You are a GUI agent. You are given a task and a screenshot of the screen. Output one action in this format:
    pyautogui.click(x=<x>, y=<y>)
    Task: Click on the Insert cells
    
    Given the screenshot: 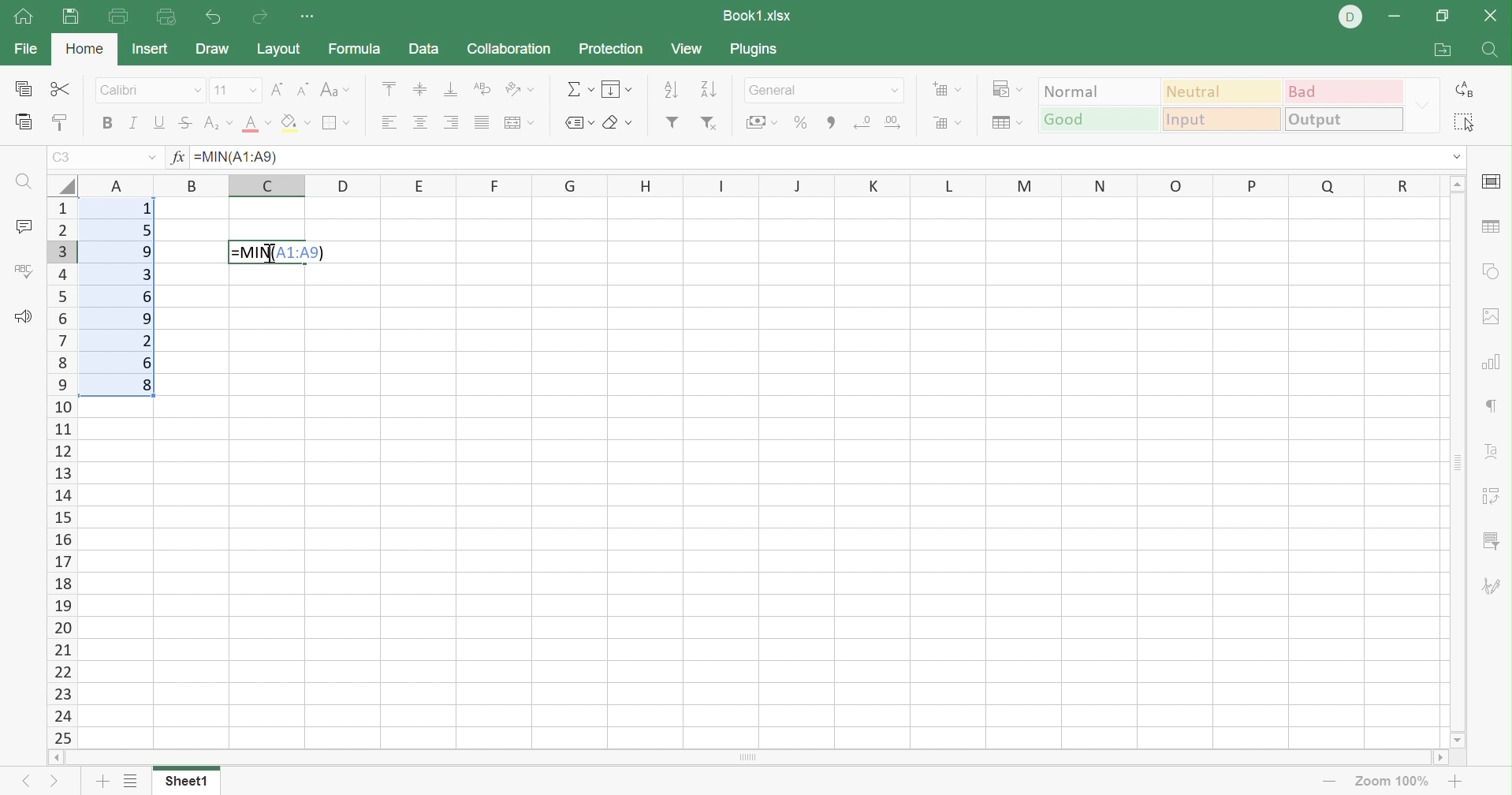 What is the action you would take?
    pyautogui.click(x=948, y=90)
    